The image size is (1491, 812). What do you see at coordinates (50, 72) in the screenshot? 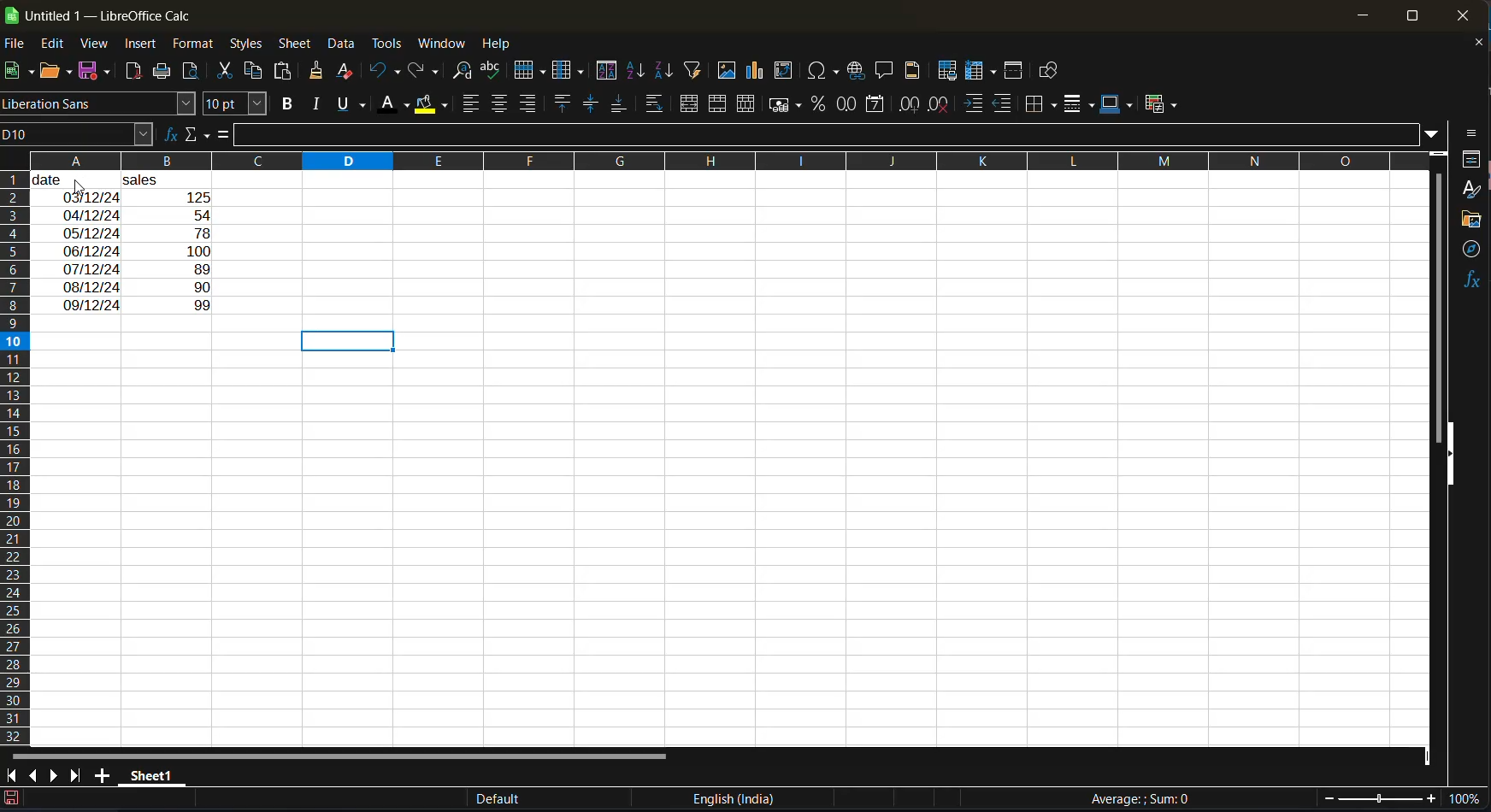
I see `open` at bounding box center [50, 72].